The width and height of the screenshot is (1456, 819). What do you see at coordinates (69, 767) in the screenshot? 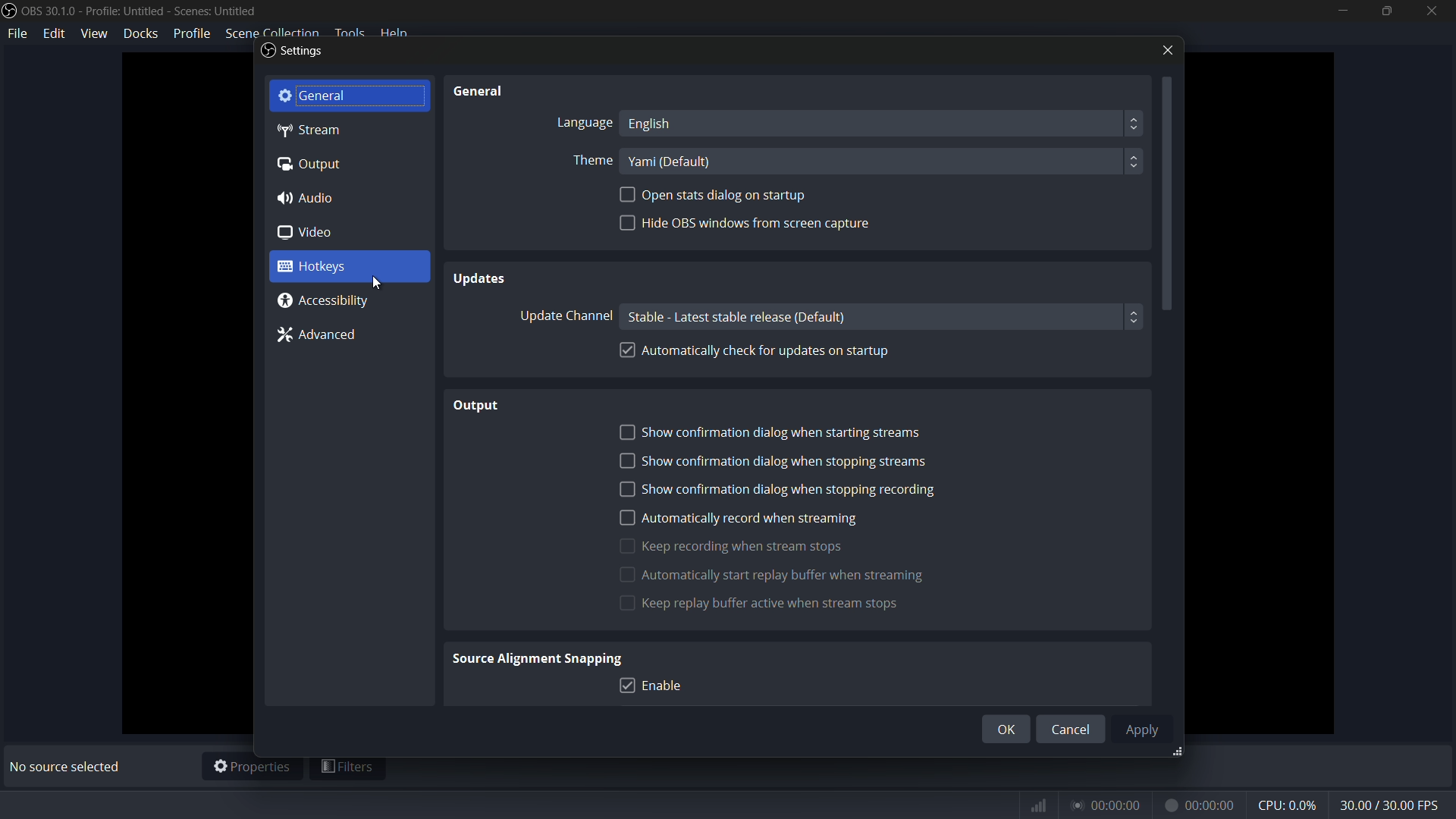
I see `No source selected` at bounding box center [69, 767].